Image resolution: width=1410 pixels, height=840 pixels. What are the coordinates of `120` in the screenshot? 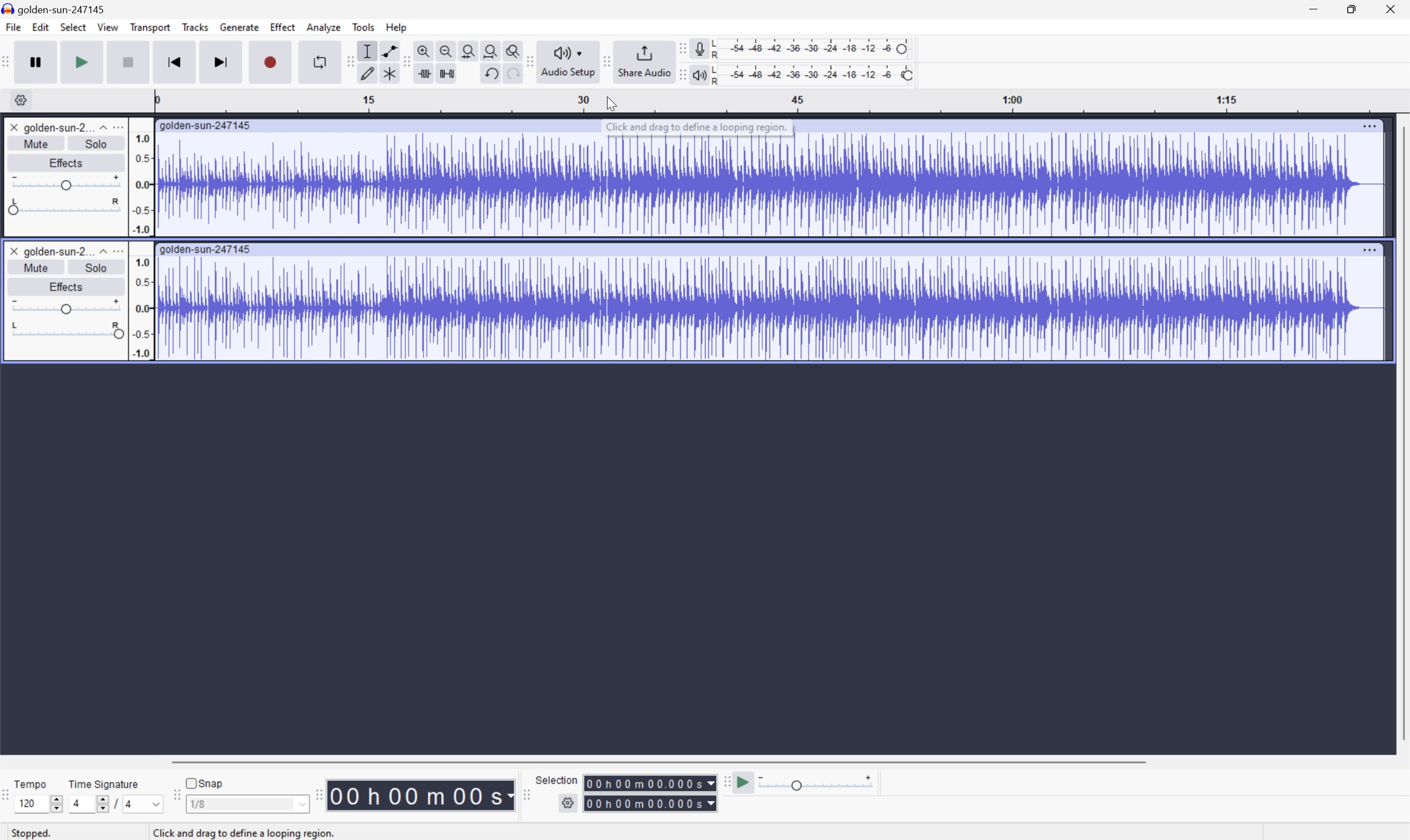 It's located at (30, 805).